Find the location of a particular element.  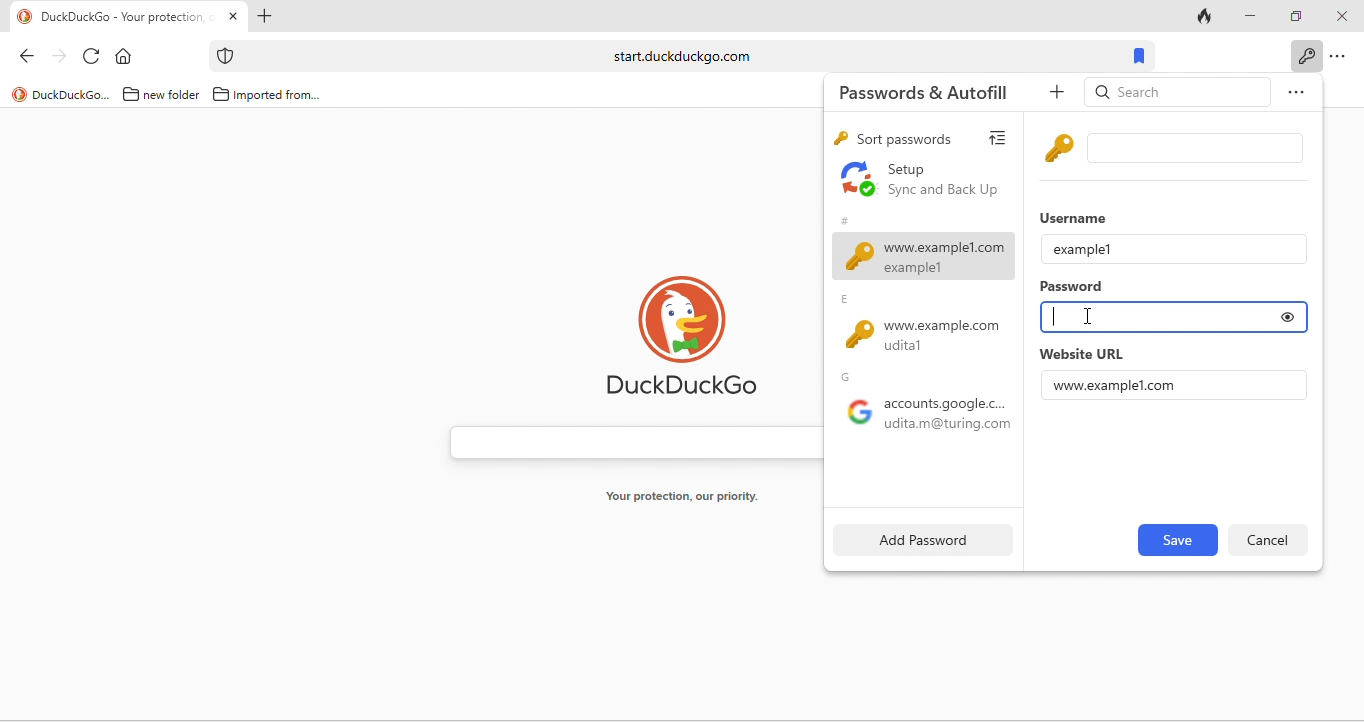

password input box is located at coordinates (1153, 317).